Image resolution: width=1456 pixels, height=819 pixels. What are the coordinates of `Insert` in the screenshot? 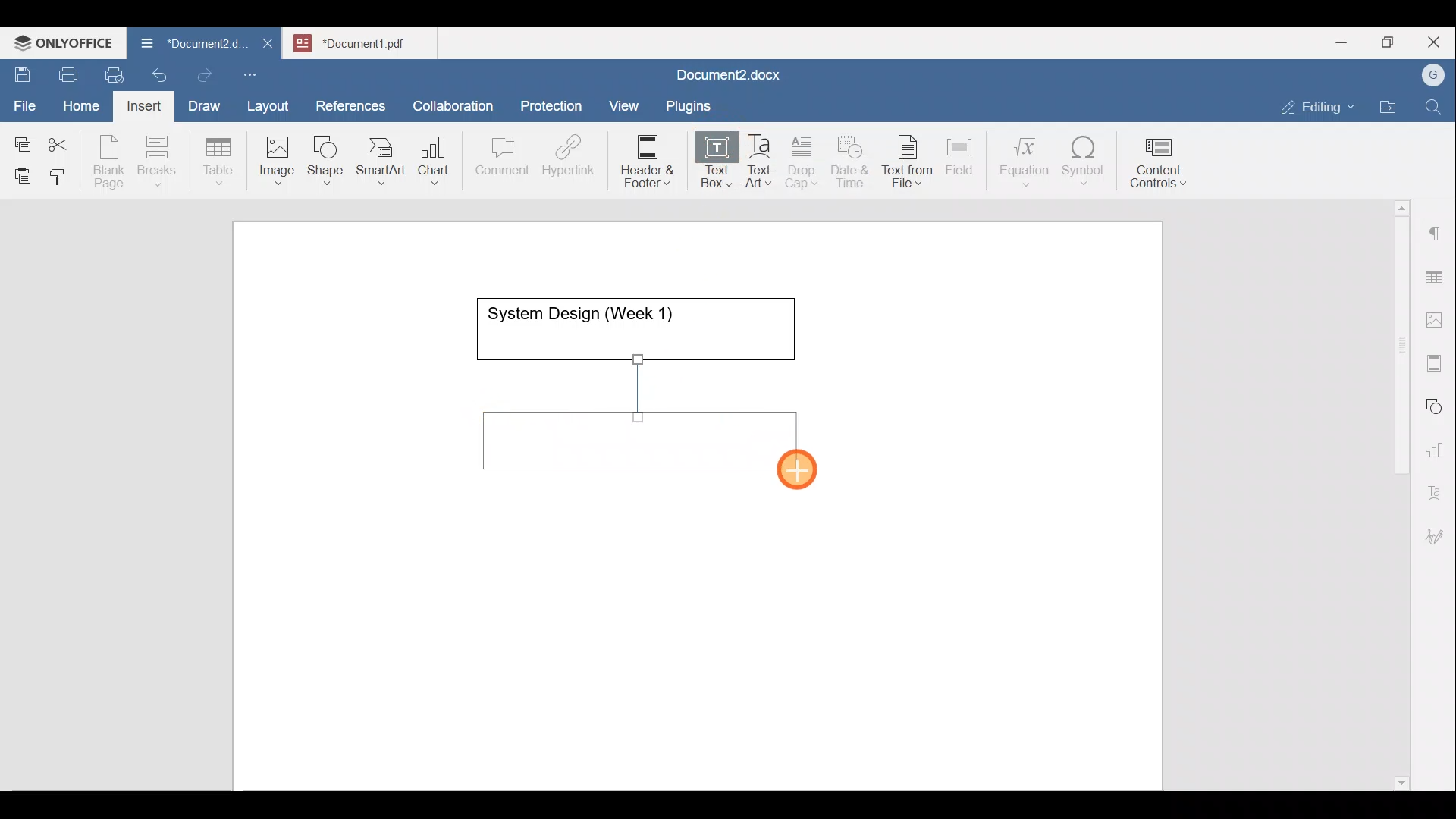 It's located at (140, 103).